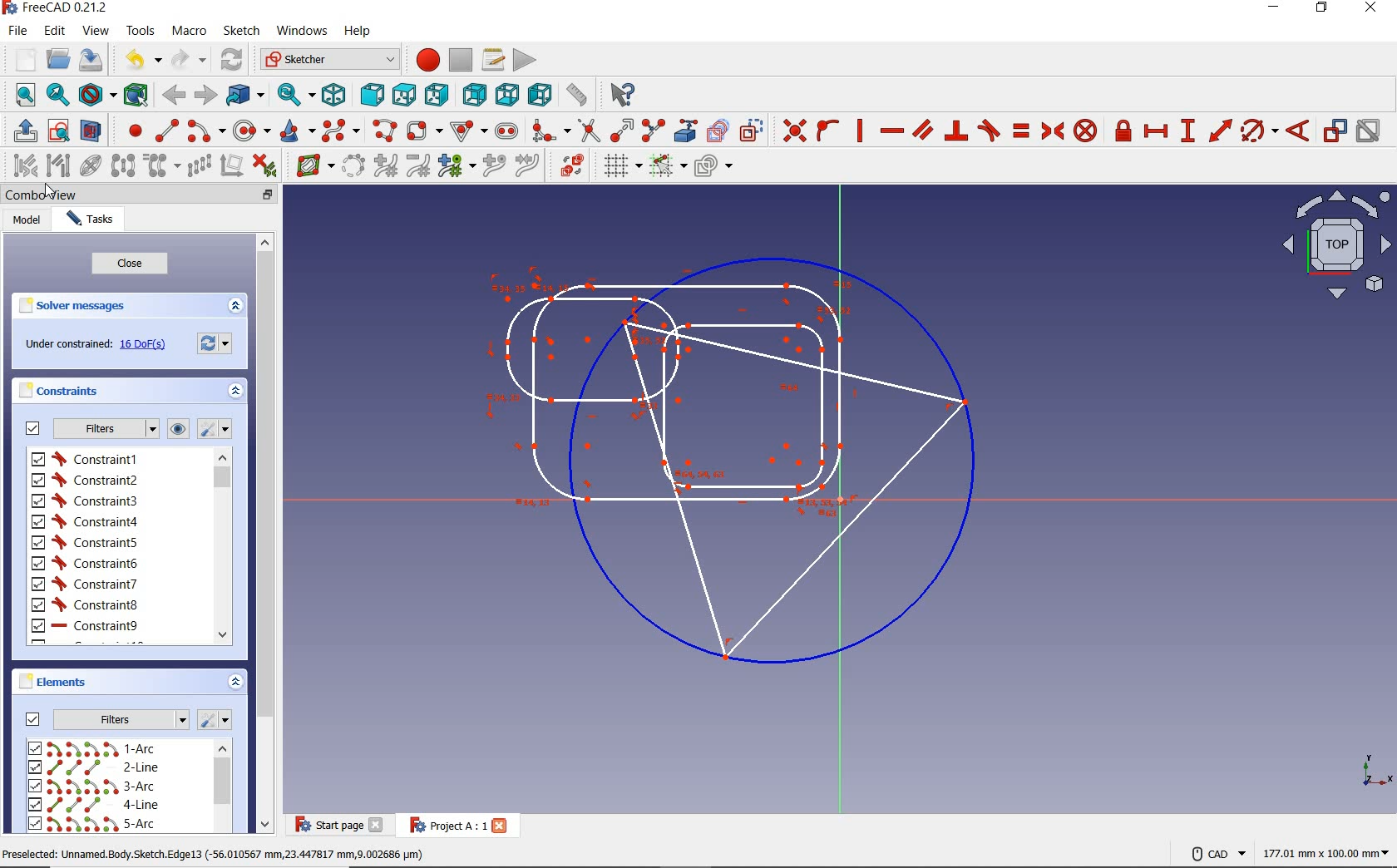 The image size is (1397, 868). What do you see at coordinates (1258, 133) in the screenshot?
I see `constrain arc or circle` at bounding box center [1258, 133].